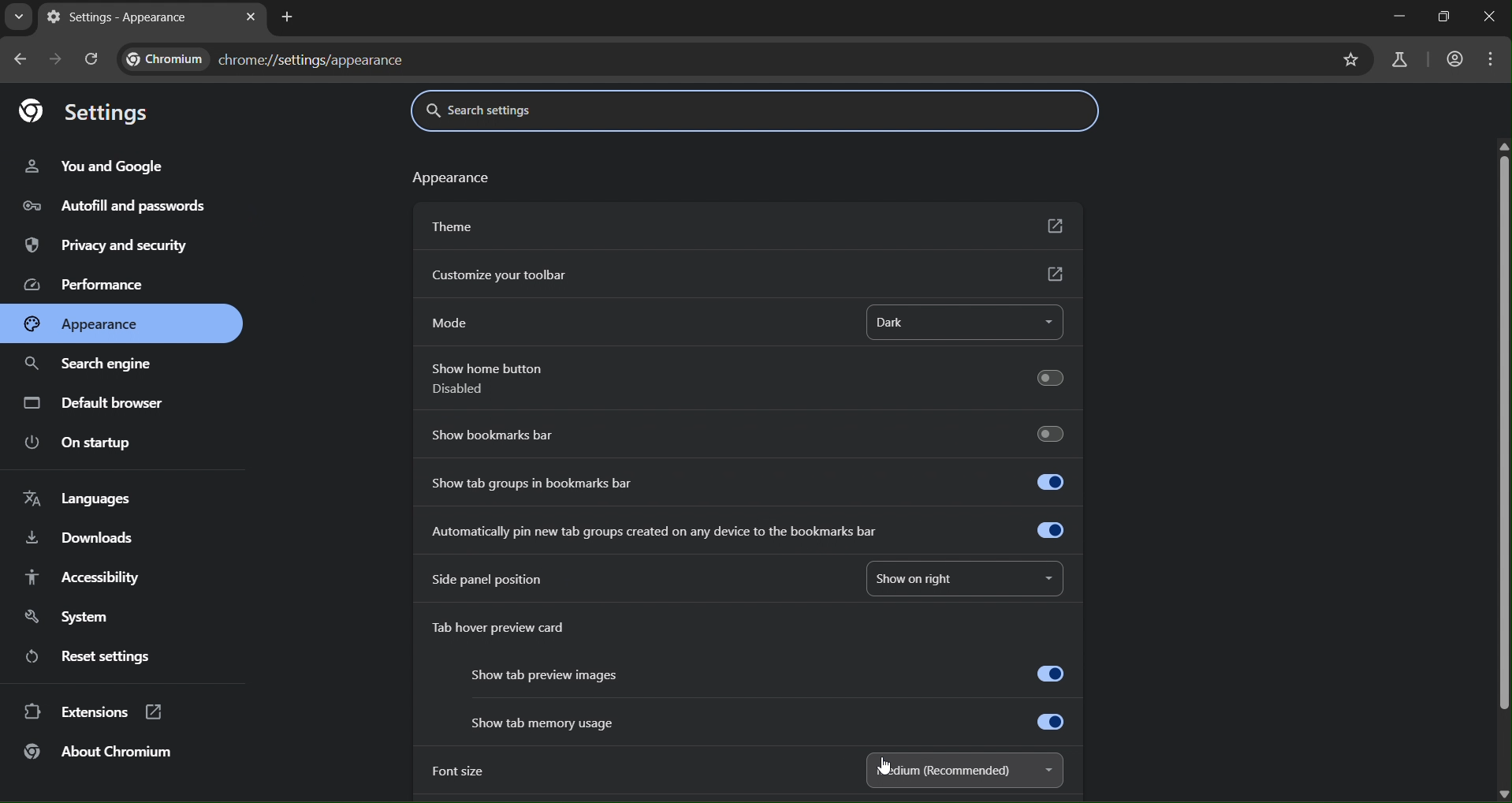  What do you see at coordinates (747, 434) in the screenshot?
I see `show bookmarks bar` at bounding box center [747, 434].